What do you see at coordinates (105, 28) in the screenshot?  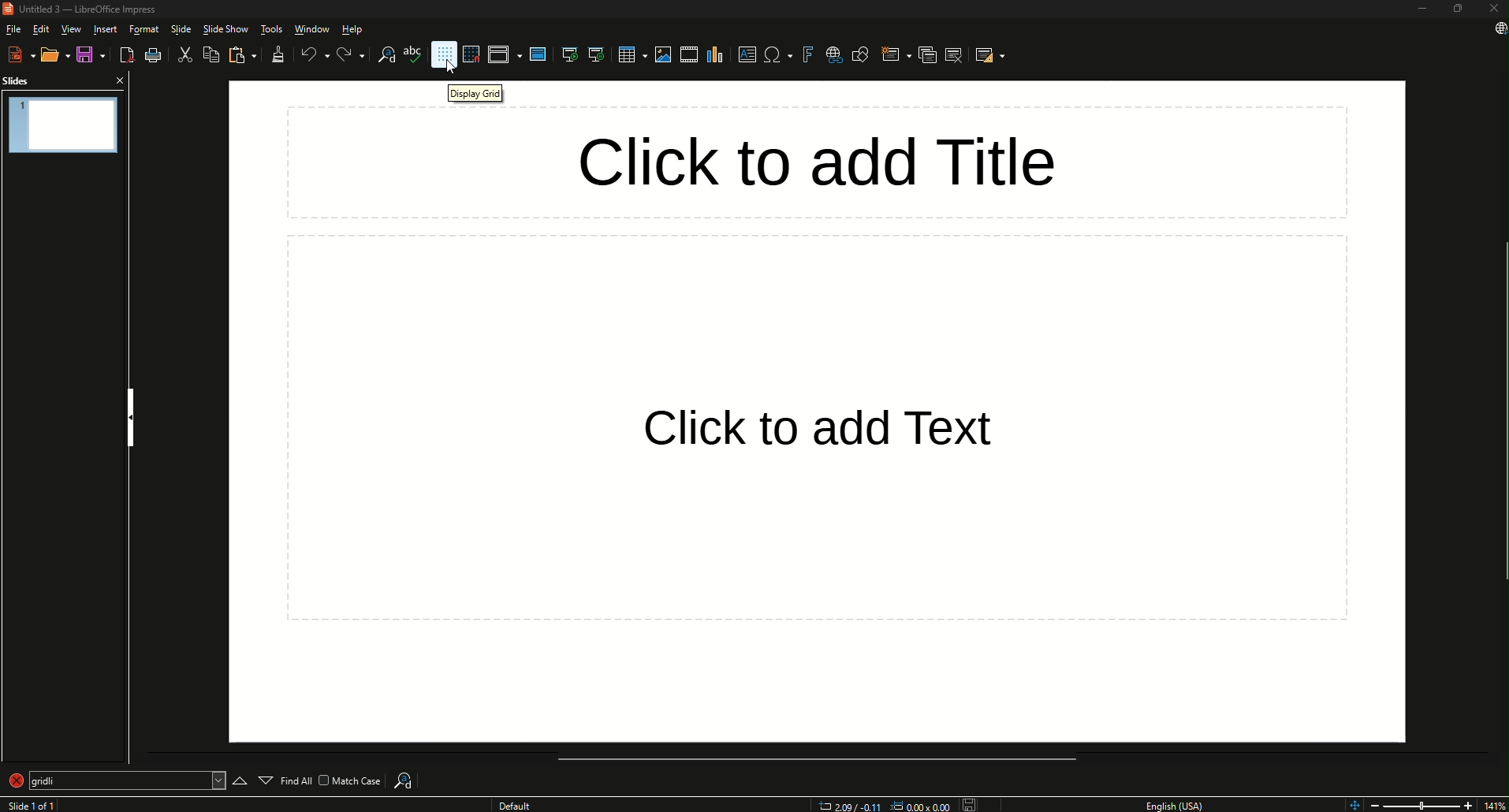 I see `Insert` at bounding box center [105, 28].